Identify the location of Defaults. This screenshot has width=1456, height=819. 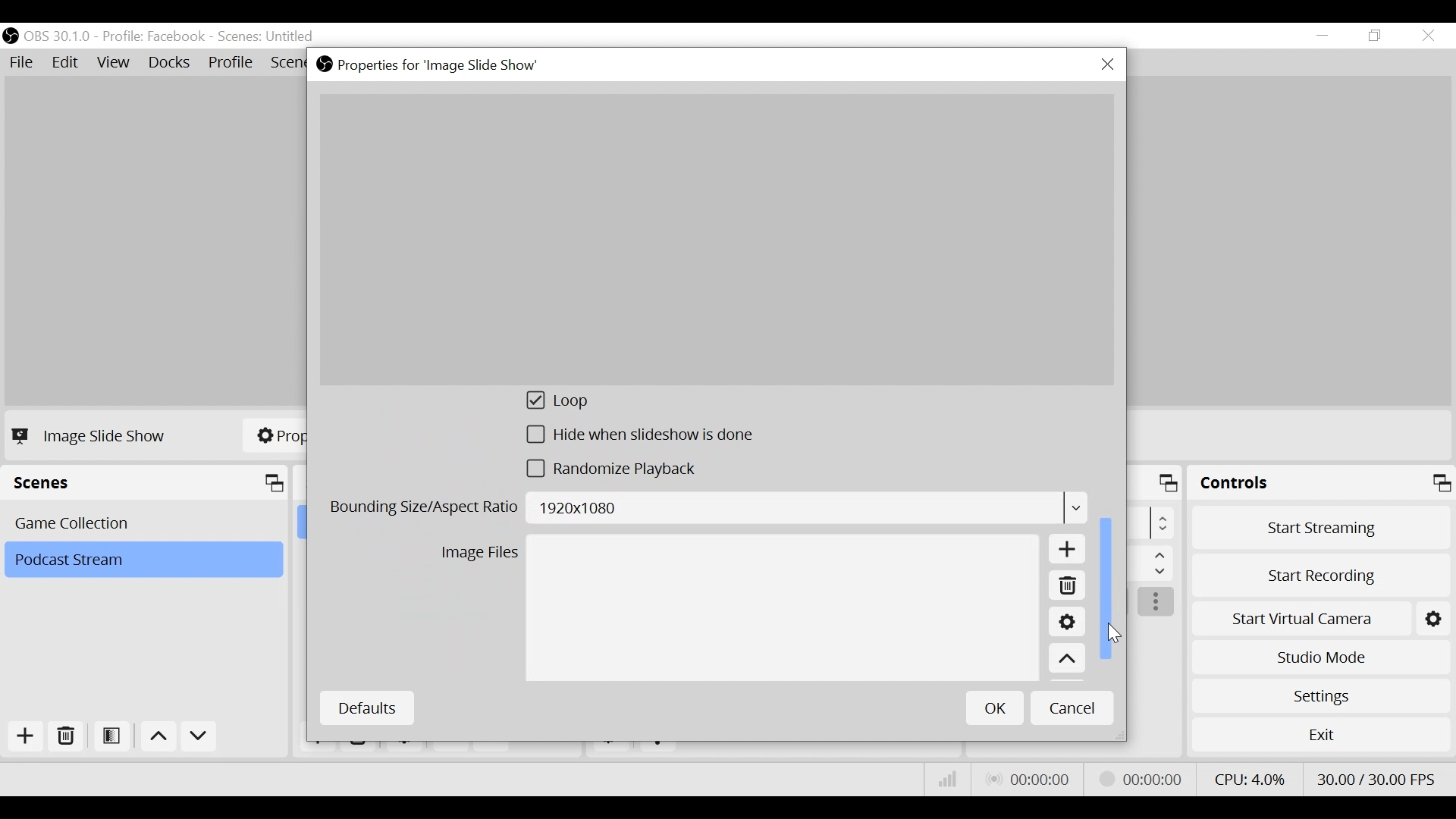
(366, 708).